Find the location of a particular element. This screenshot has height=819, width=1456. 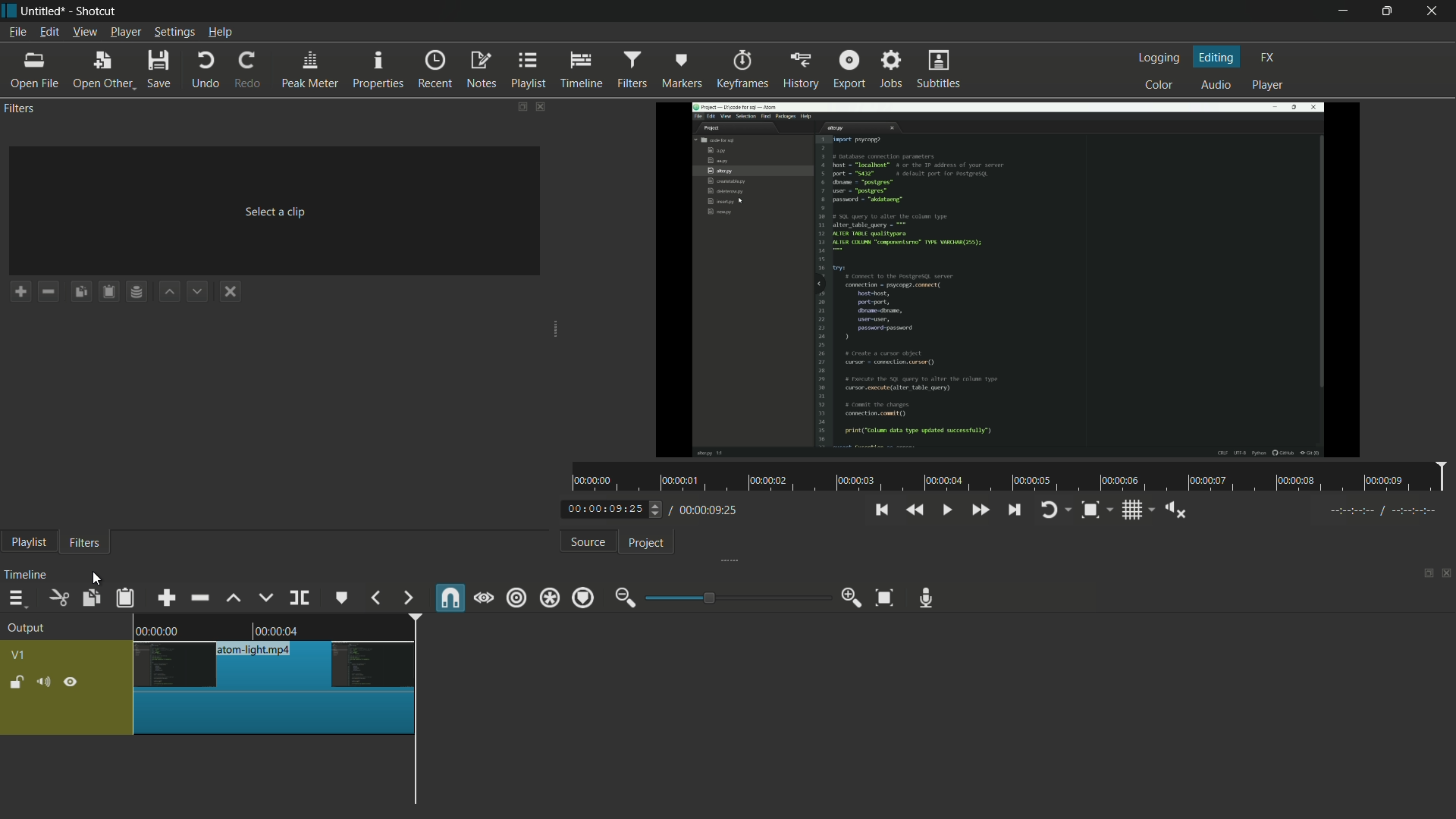

project name is located at coordinates (46, 11).